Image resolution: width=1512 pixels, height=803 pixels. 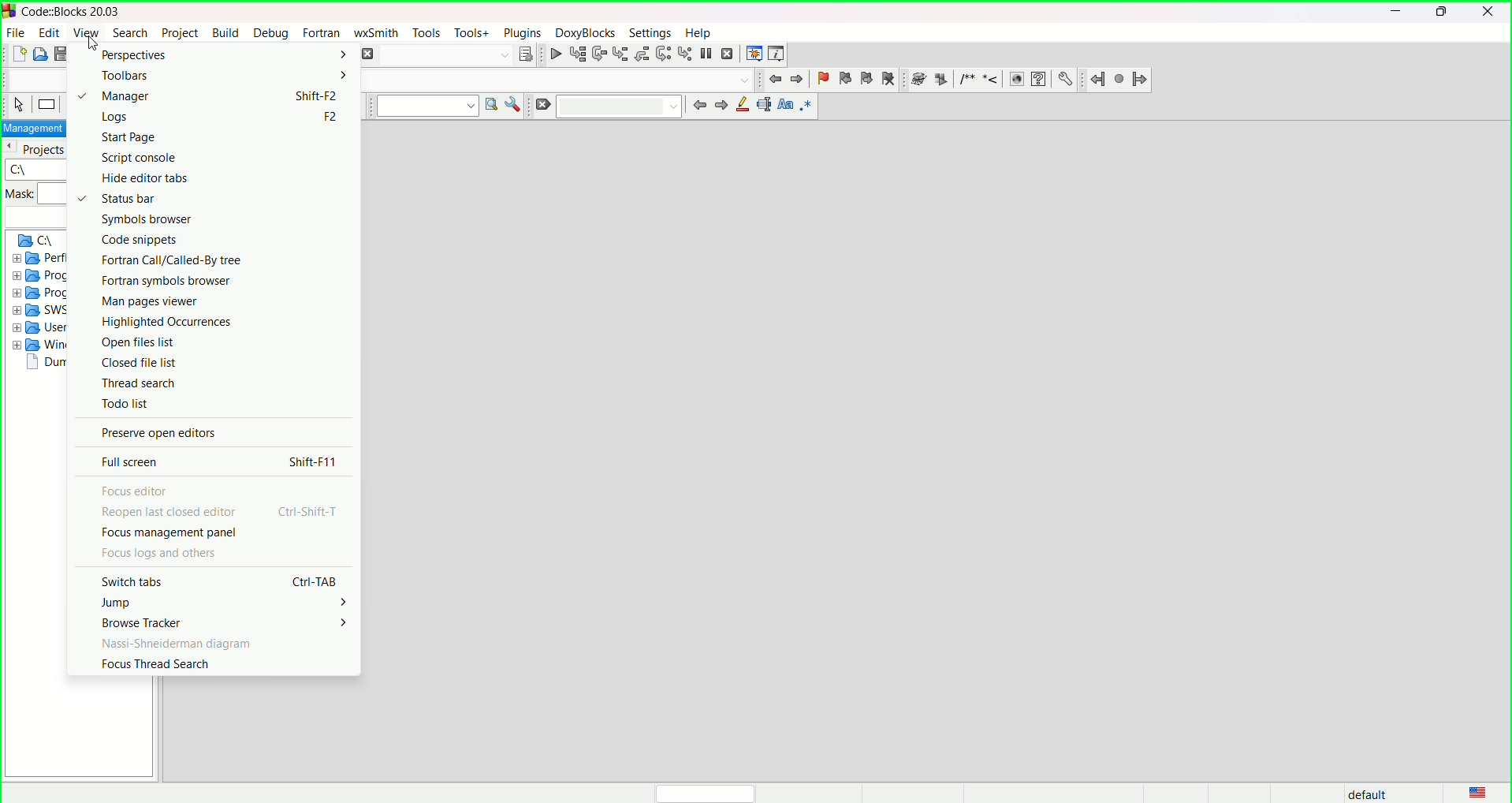 What do you see at coordinates (111, 95) in the screenshot?
I see `manager` at bounding box center [111, 95].